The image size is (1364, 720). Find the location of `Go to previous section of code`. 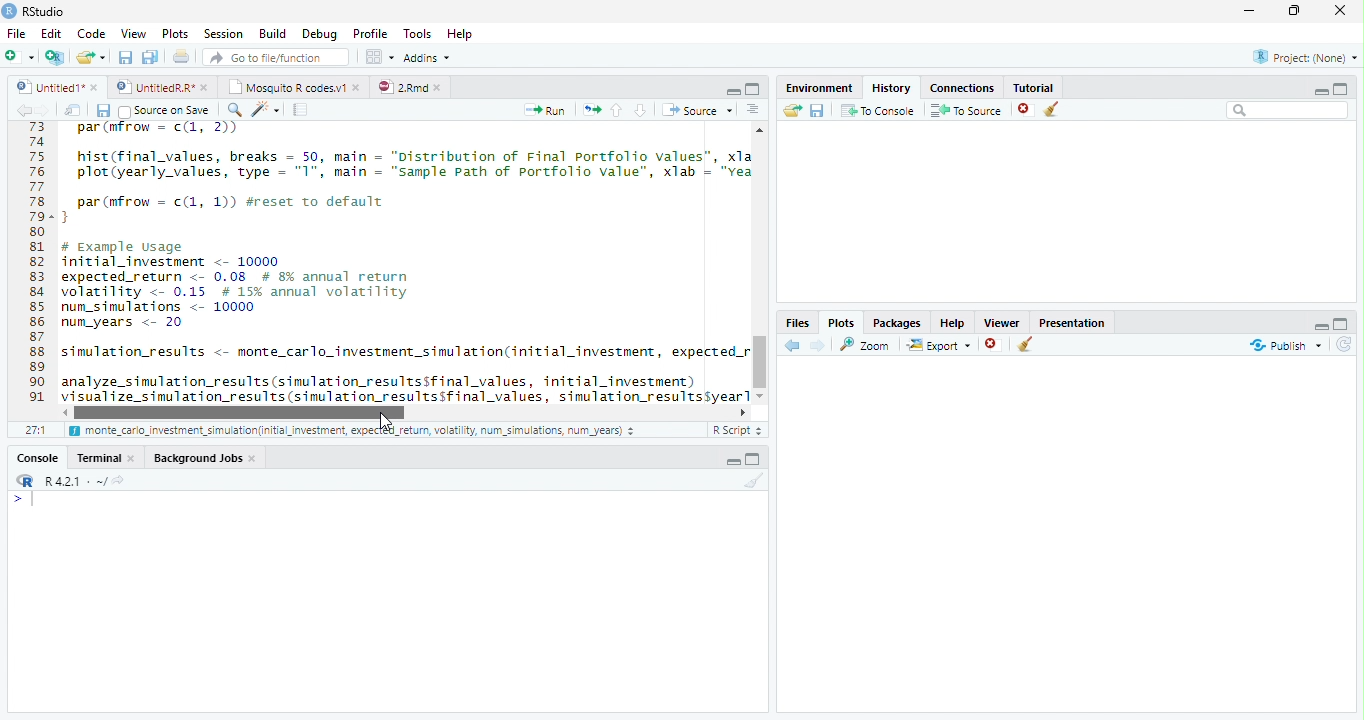

Go to previous section of code is located at coordinates (617, 112).